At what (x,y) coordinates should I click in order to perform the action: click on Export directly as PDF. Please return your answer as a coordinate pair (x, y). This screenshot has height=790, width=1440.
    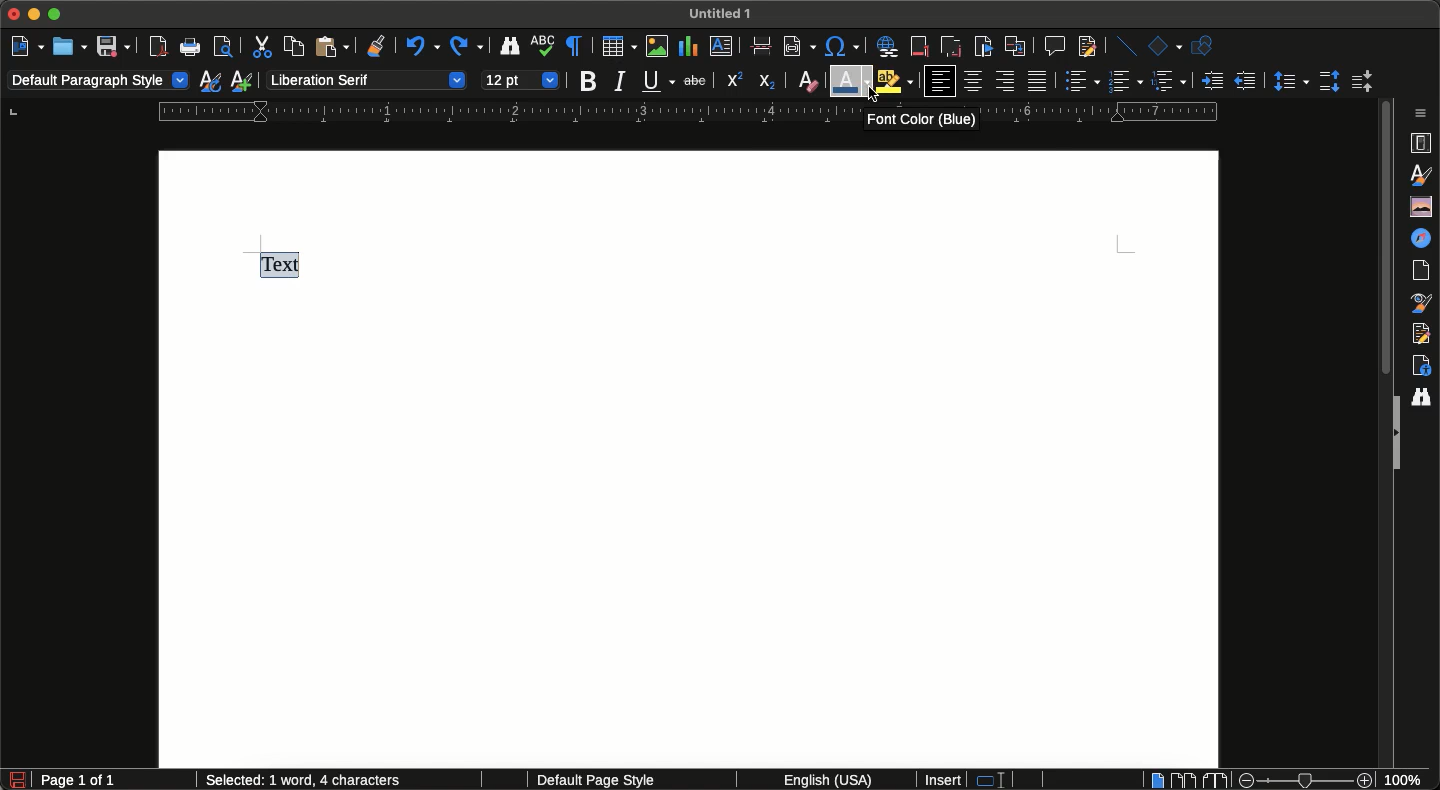
    Looking at the image, I should click on (159, 47).